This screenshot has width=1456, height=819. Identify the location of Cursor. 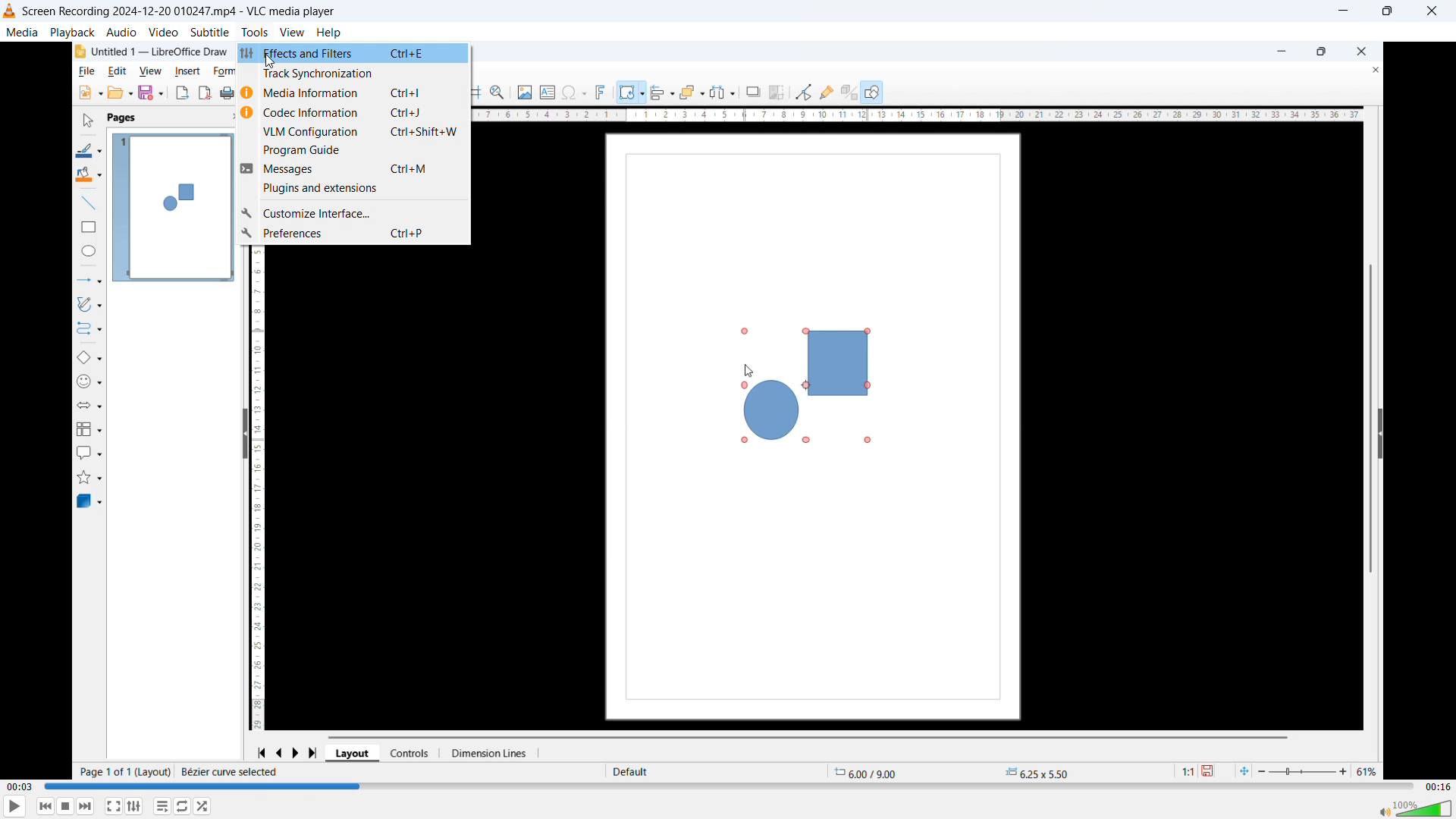
(271, 61).